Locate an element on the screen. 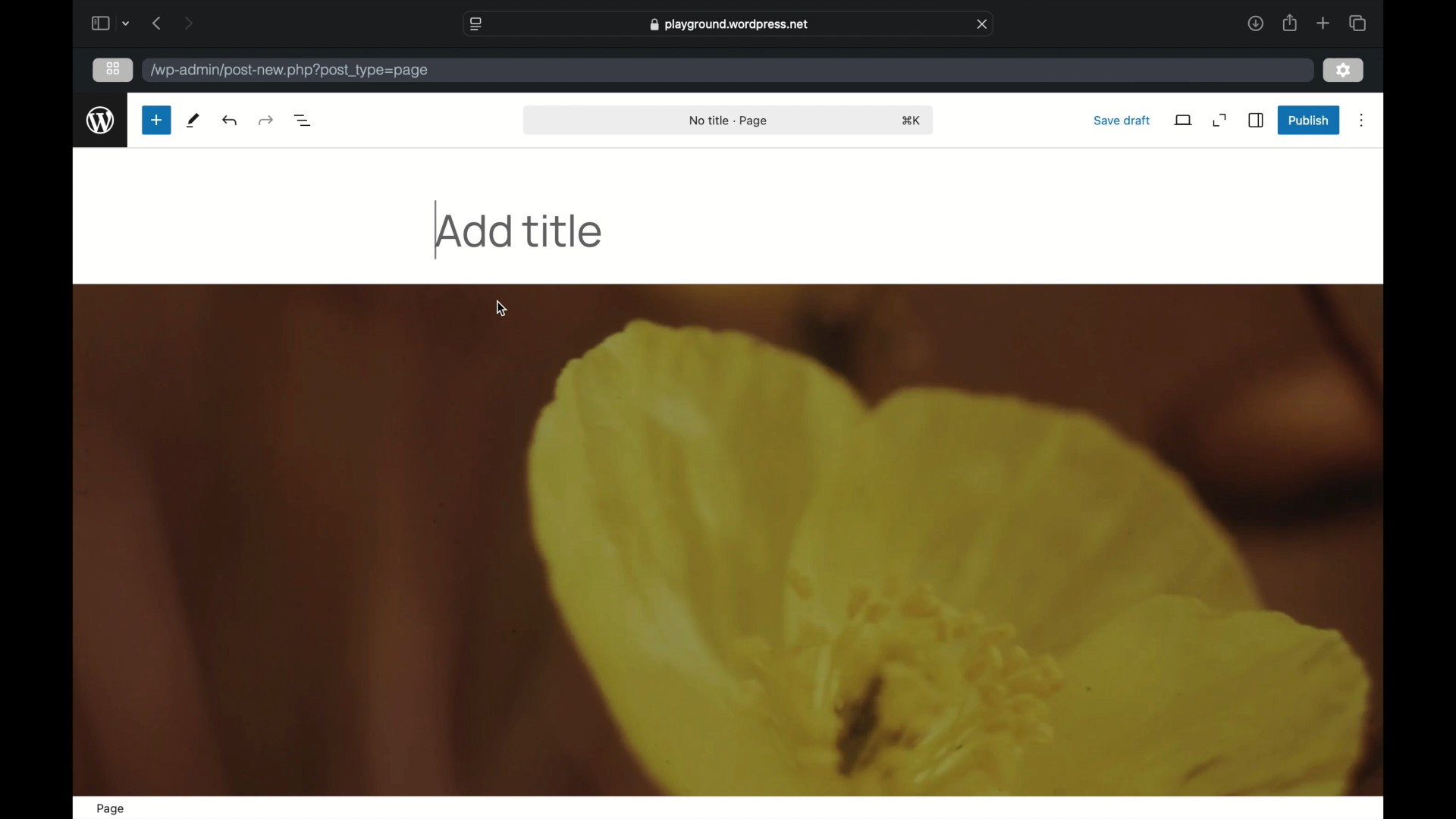  previous page is located at coordinates (156, 22).